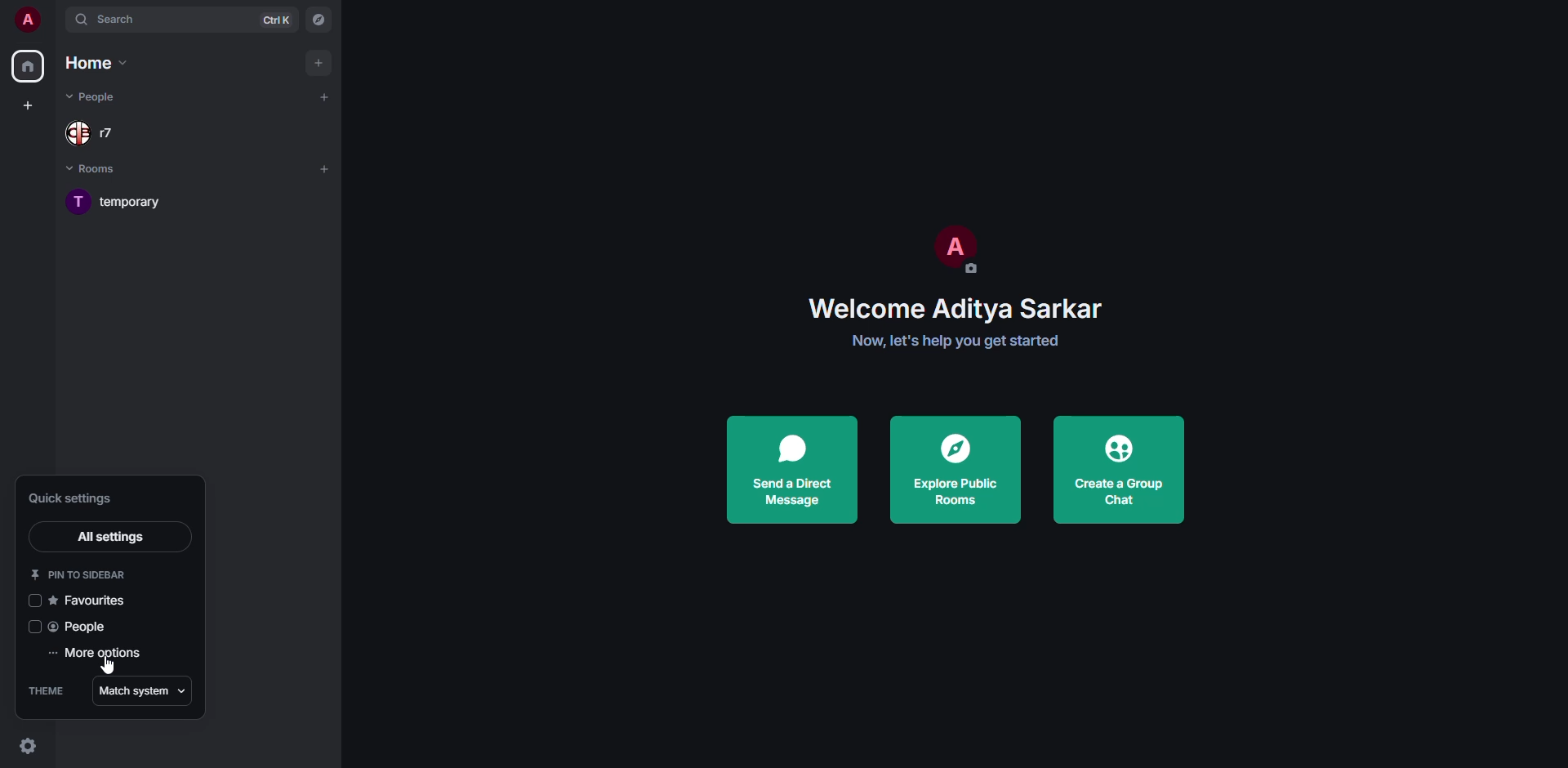 The height and width of the screenshot is (768, 1568). Describe the element at coordinates (31, 626) in the screenshot. I see `click to enable` at that location.